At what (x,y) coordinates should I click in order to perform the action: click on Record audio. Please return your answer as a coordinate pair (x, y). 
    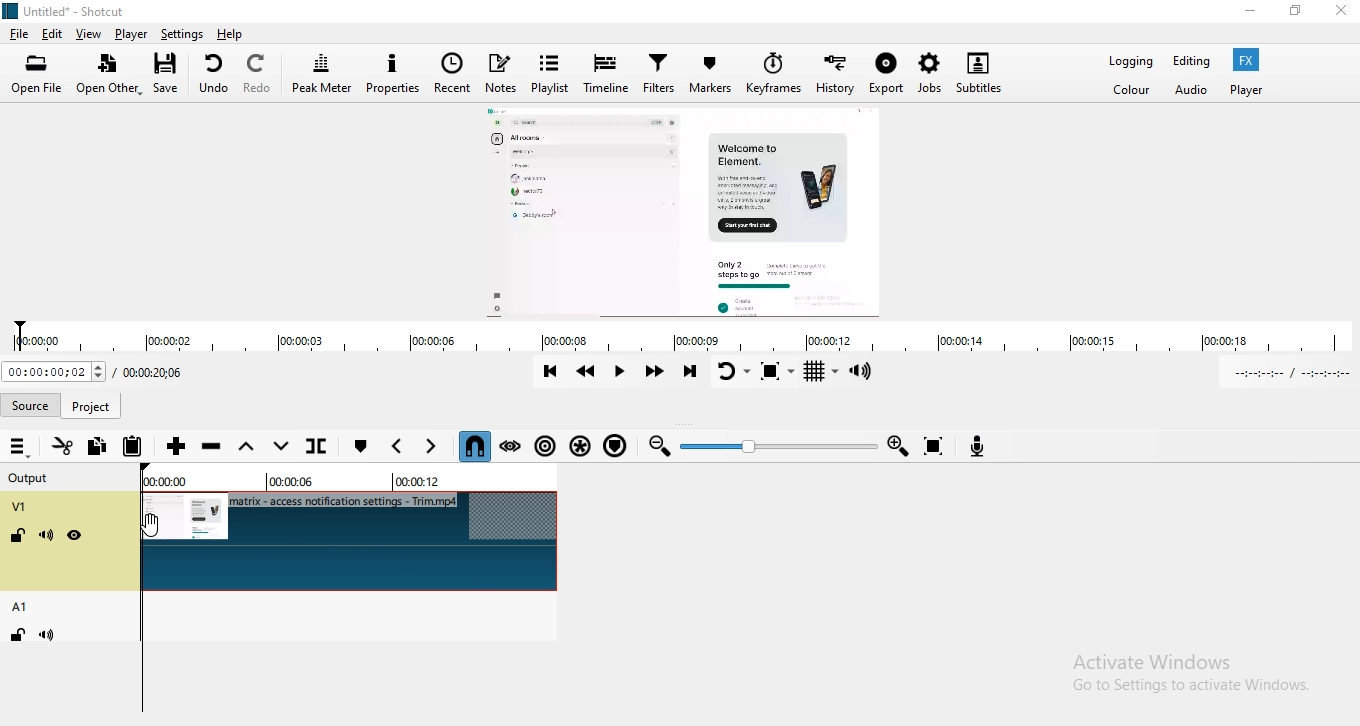
    Looking at the image, I should click on (982, 448).